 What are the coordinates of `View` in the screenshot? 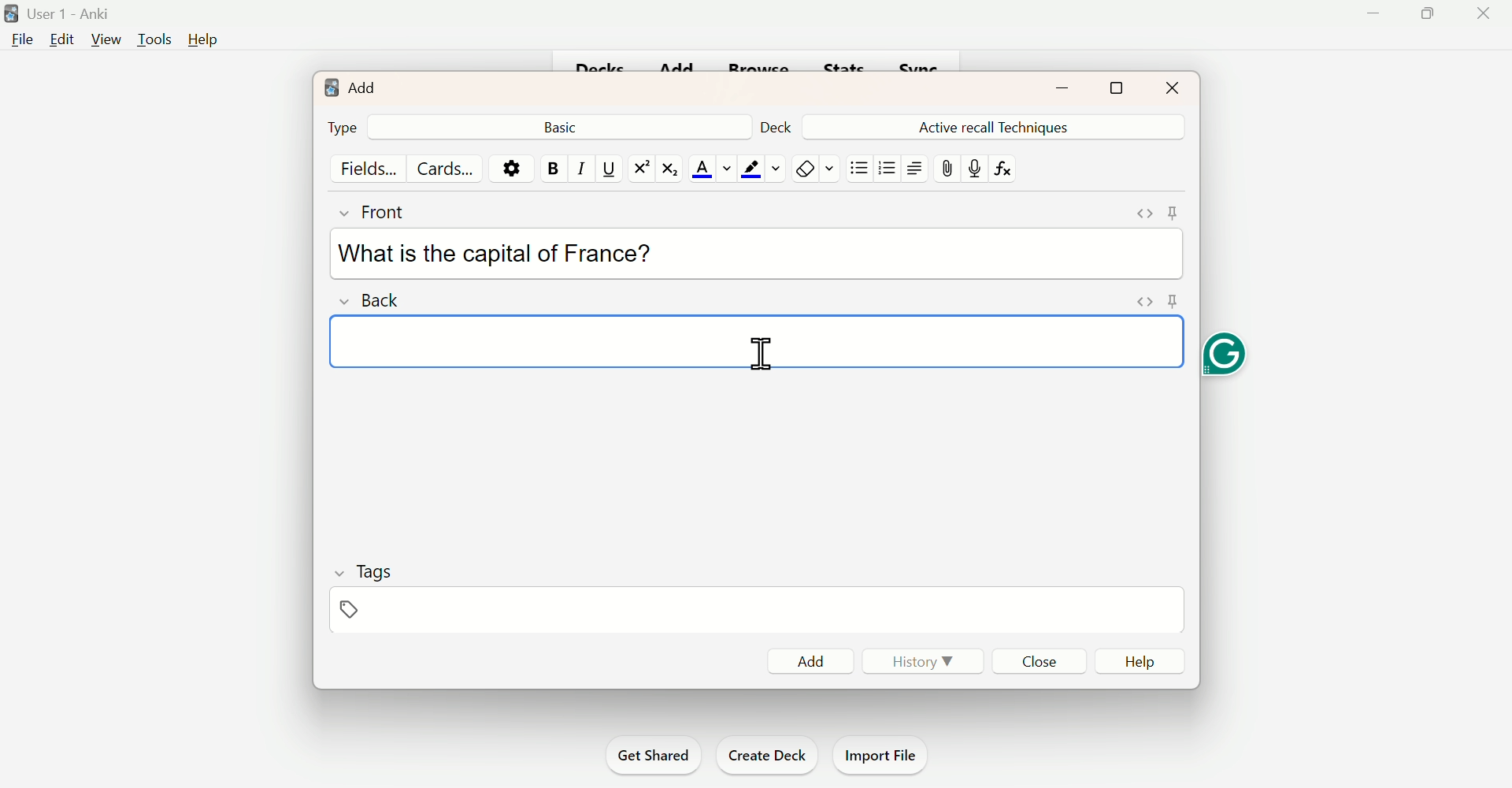 It's located at (102, 40).